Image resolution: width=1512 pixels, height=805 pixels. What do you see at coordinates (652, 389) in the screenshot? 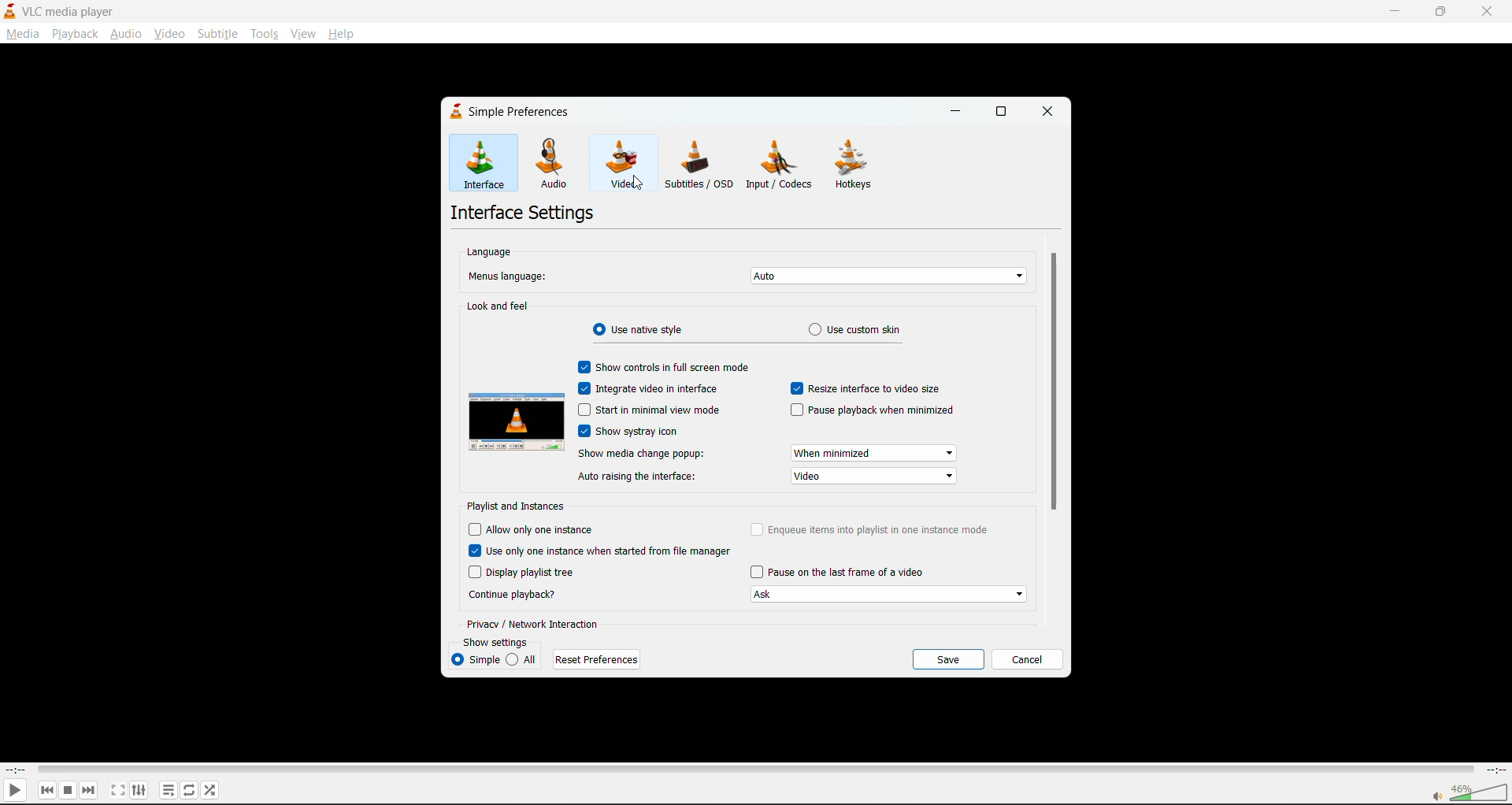
I see `integrate video in interface` at bounding box center [652, 389].